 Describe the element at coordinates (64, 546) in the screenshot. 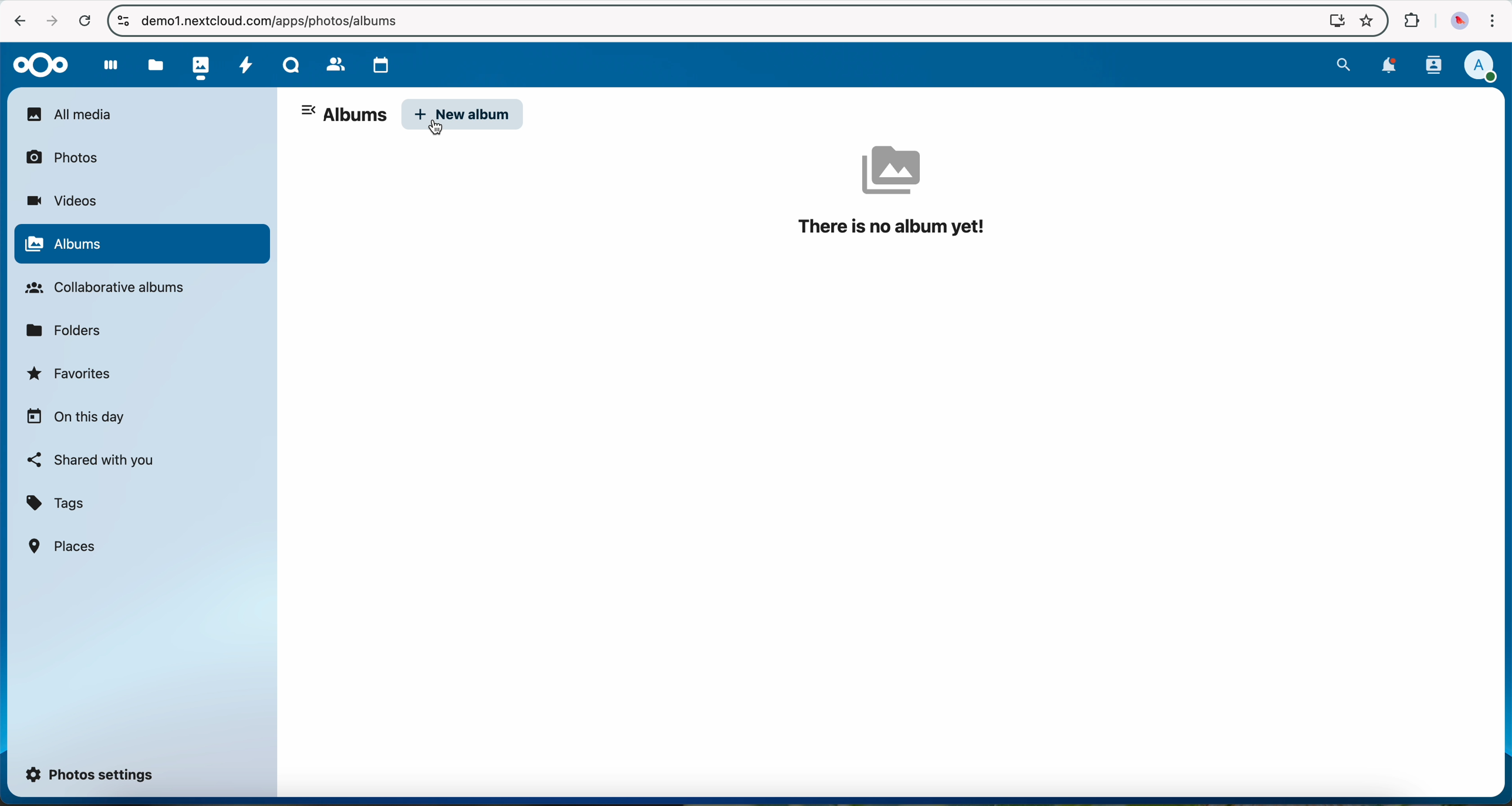

I see `places` at that location.